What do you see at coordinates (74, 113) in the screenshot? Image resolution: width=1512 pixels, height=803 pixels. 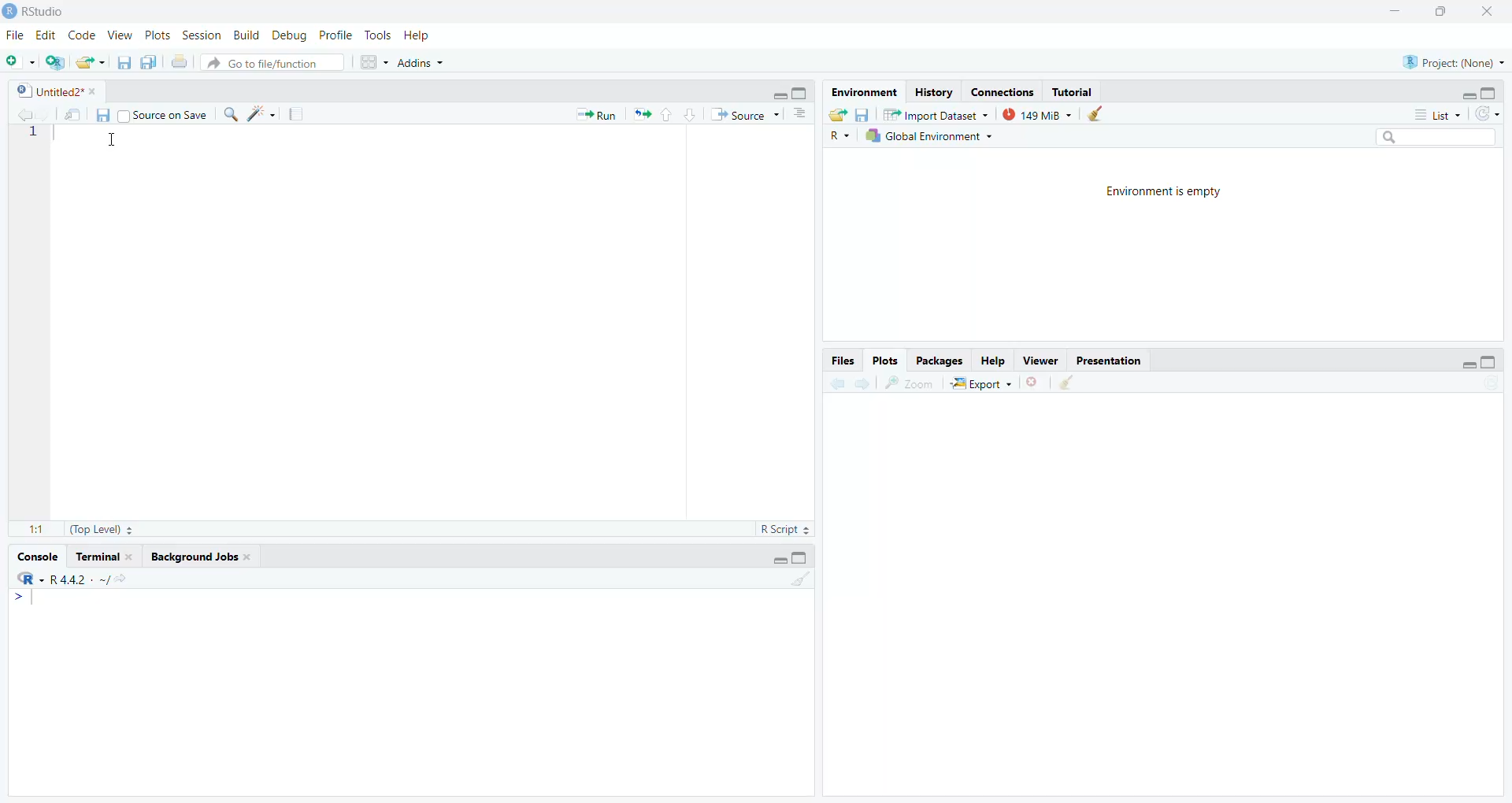 I see `Show in new window` at bounding box center [74, 113].